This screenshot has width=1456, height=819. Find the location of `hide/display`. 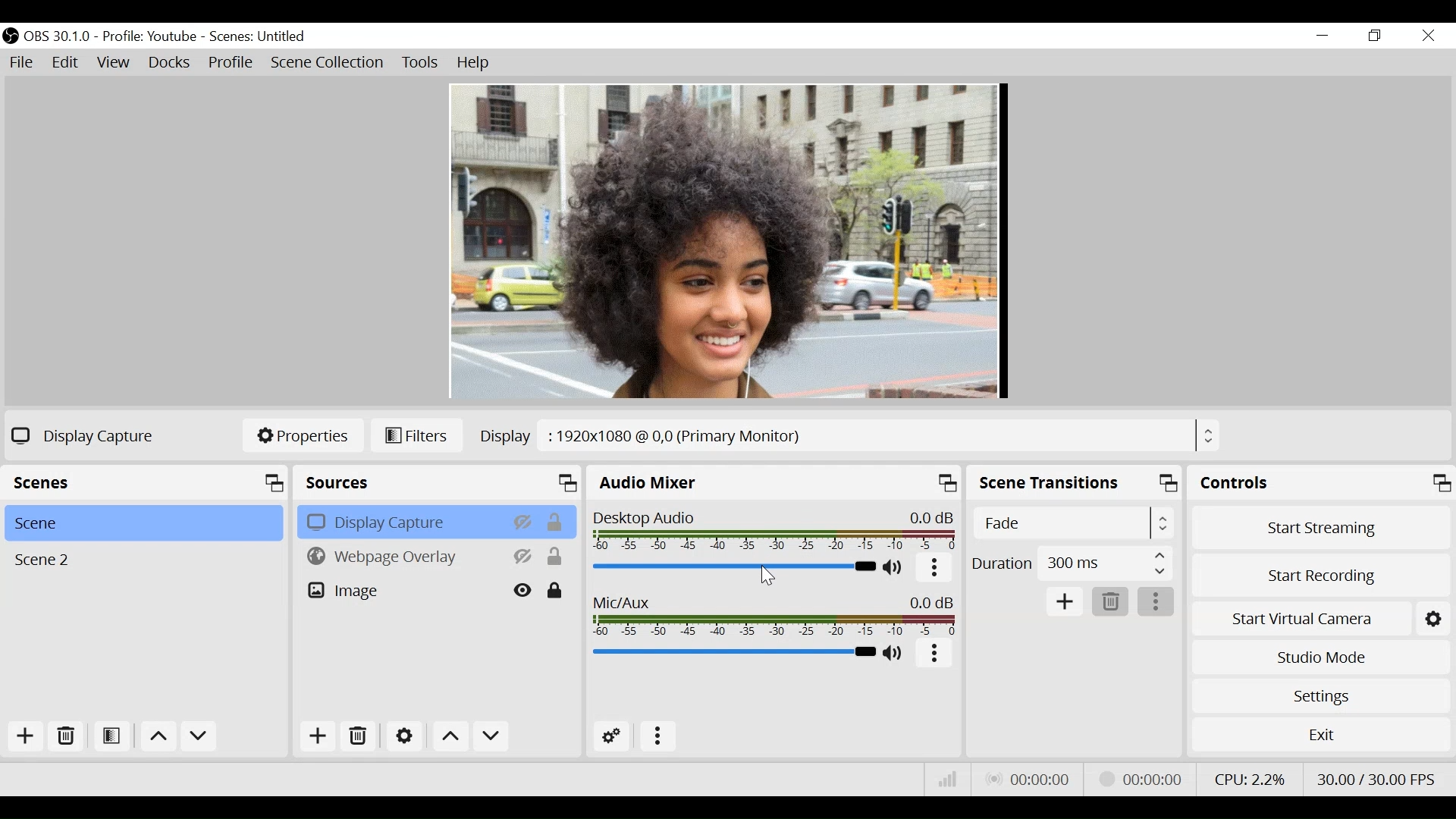

hide/display is located at coordinates (524, 557).